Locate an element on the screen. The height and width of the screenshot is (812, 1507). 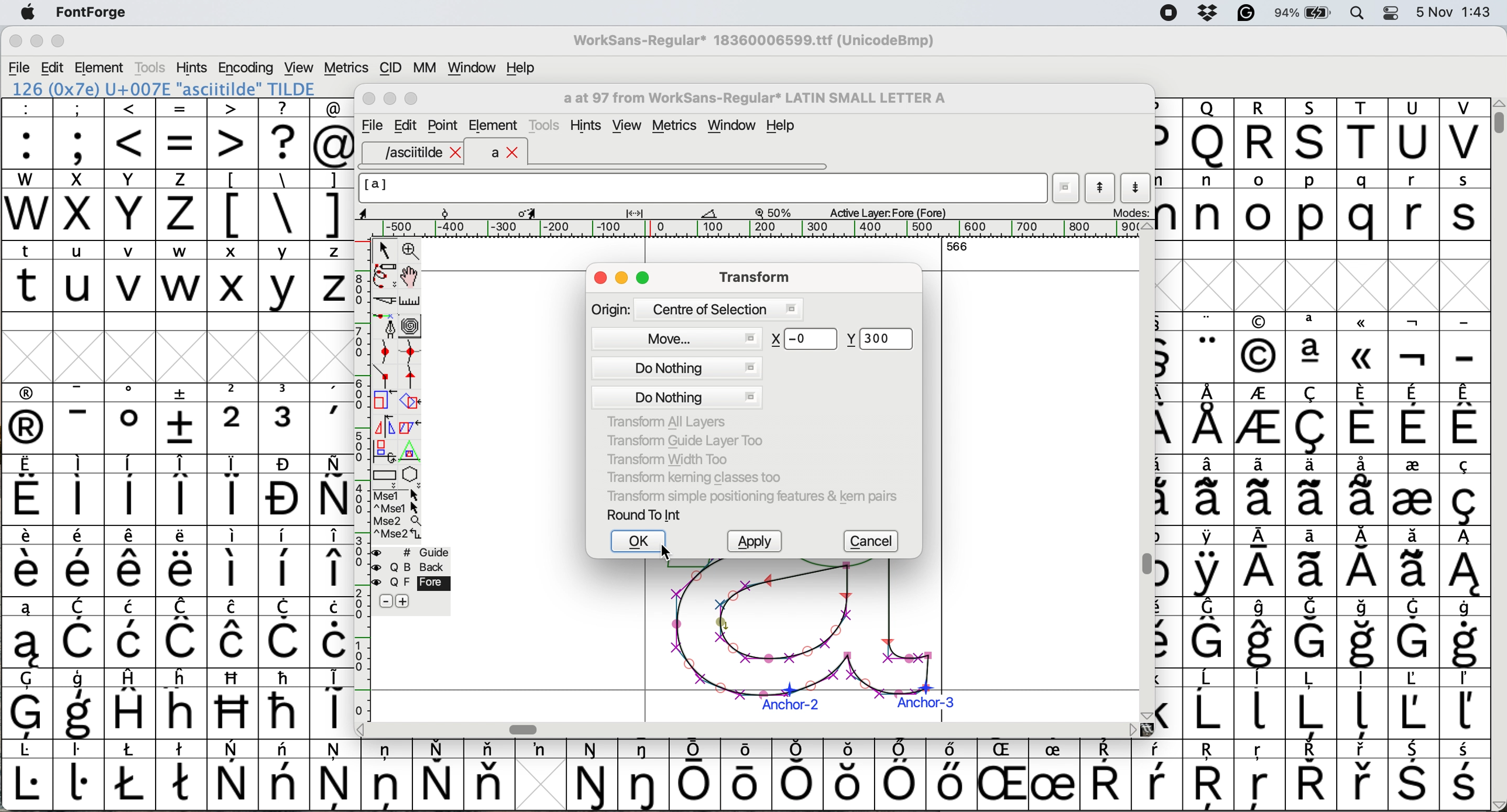
symbol is located at coordinates (1209, 632).